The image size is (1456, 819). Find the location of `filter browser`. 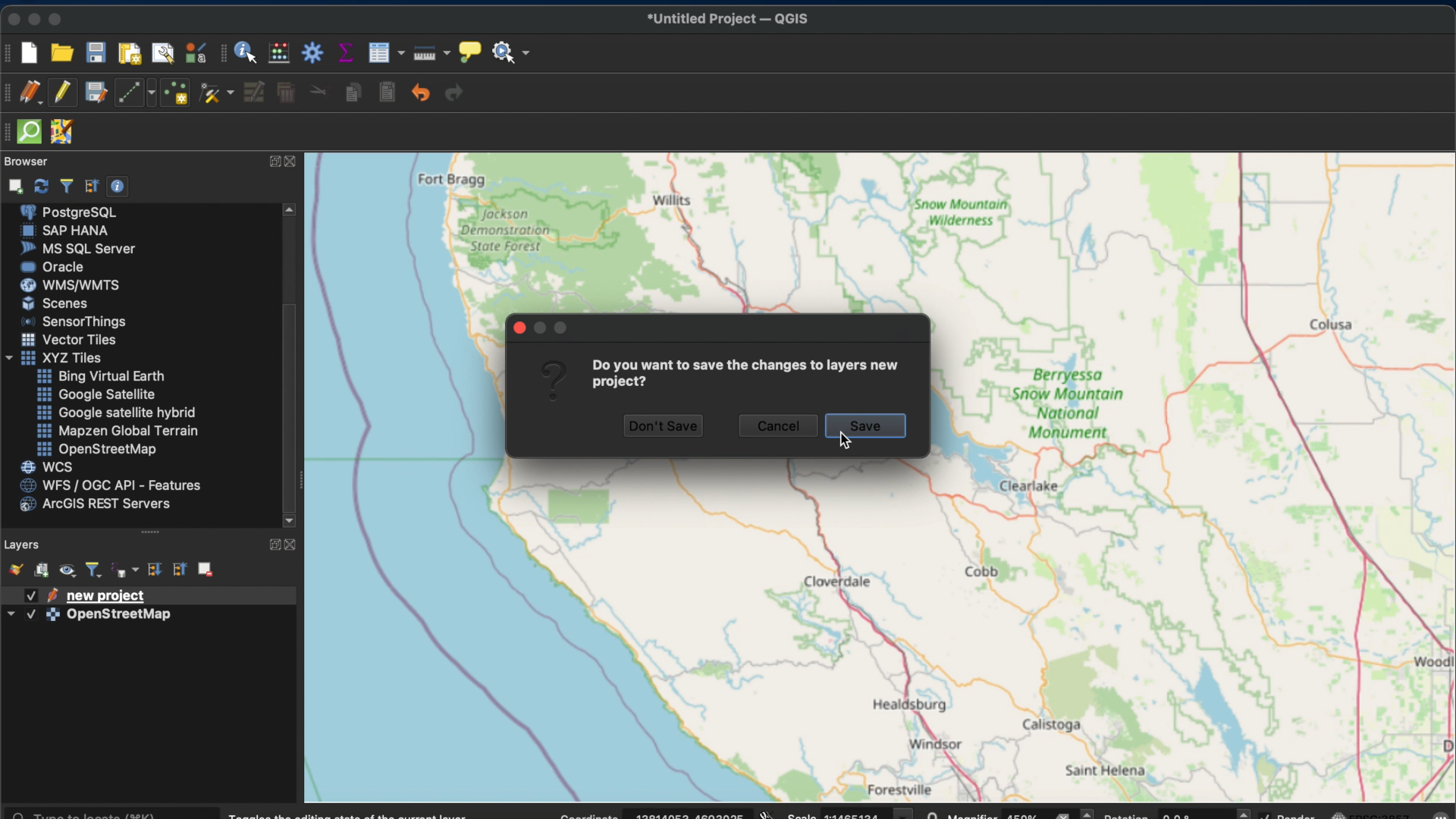

filter browser is located at coordinates (65, 186).